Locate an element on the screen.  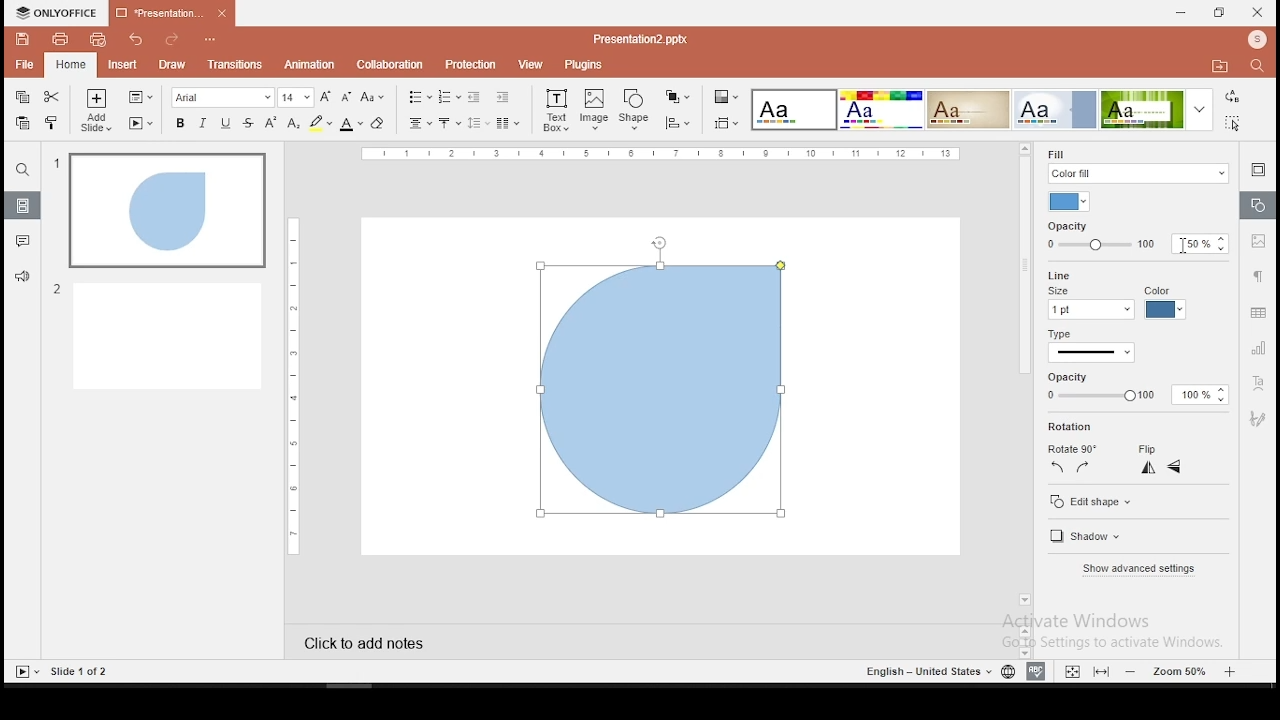
cut is located at coordinates (51, 98).